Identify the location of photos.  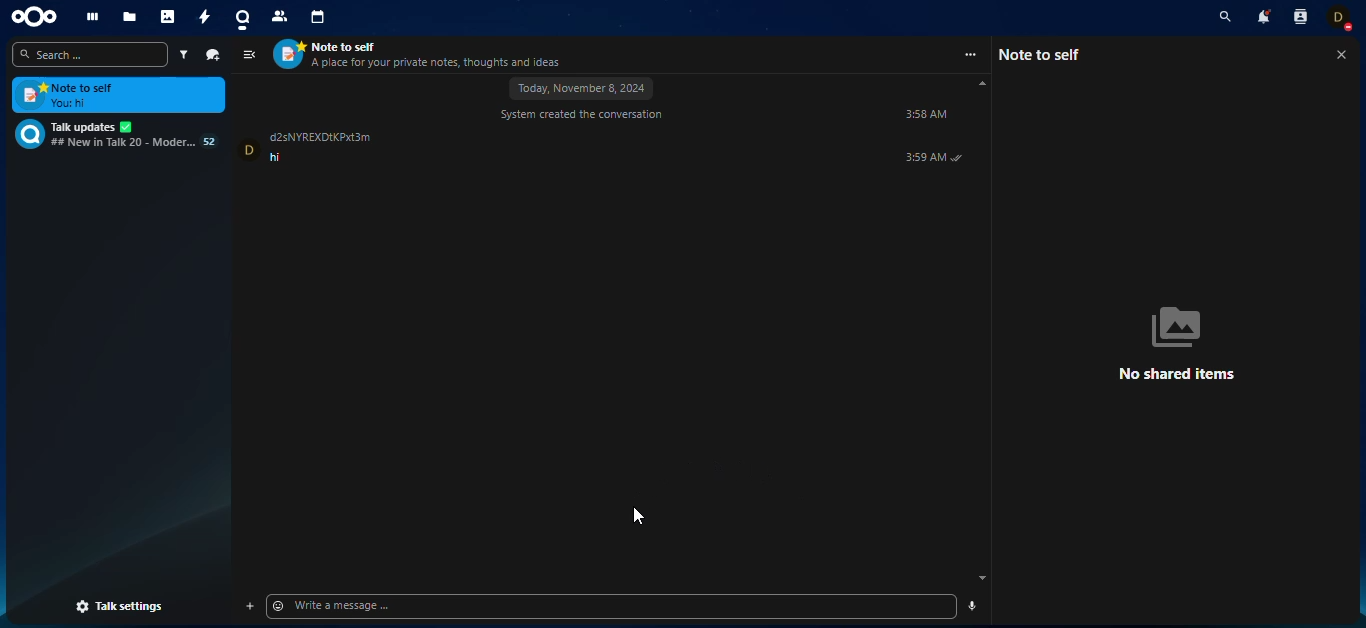
(170, 17).